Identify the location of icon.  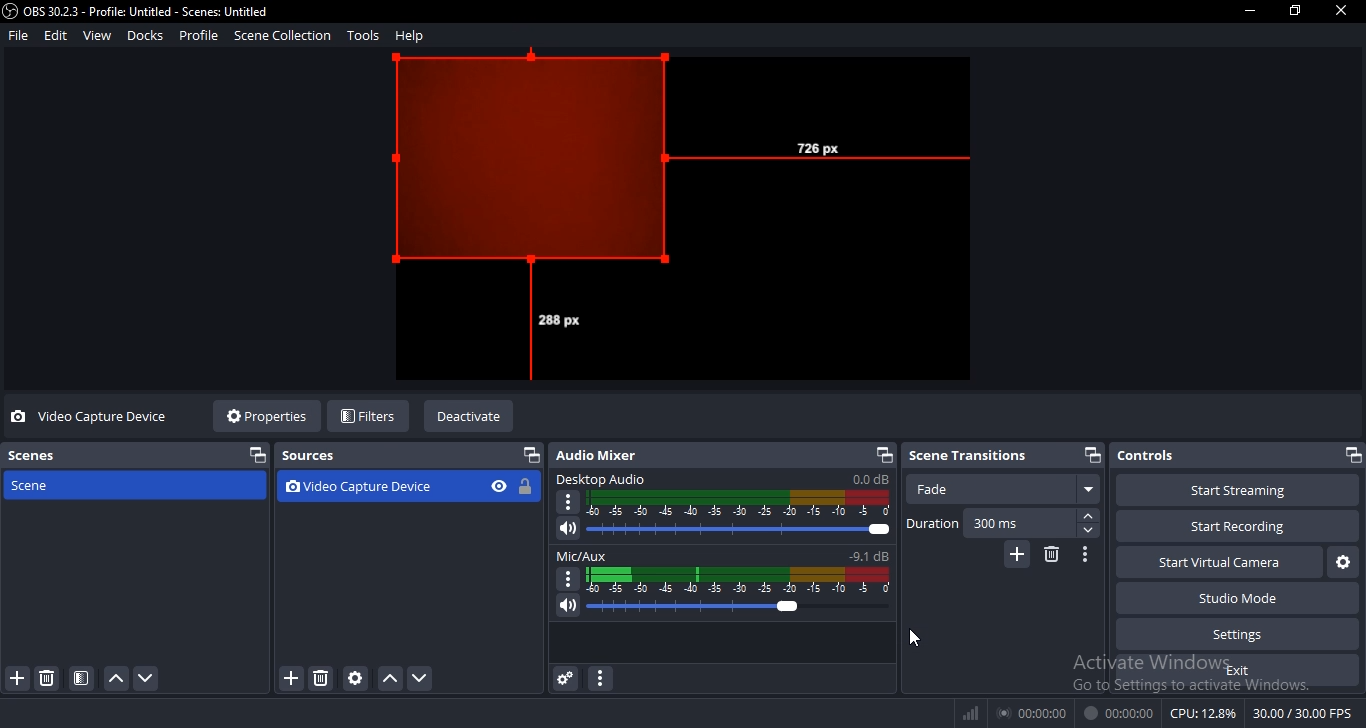
(528, 487).